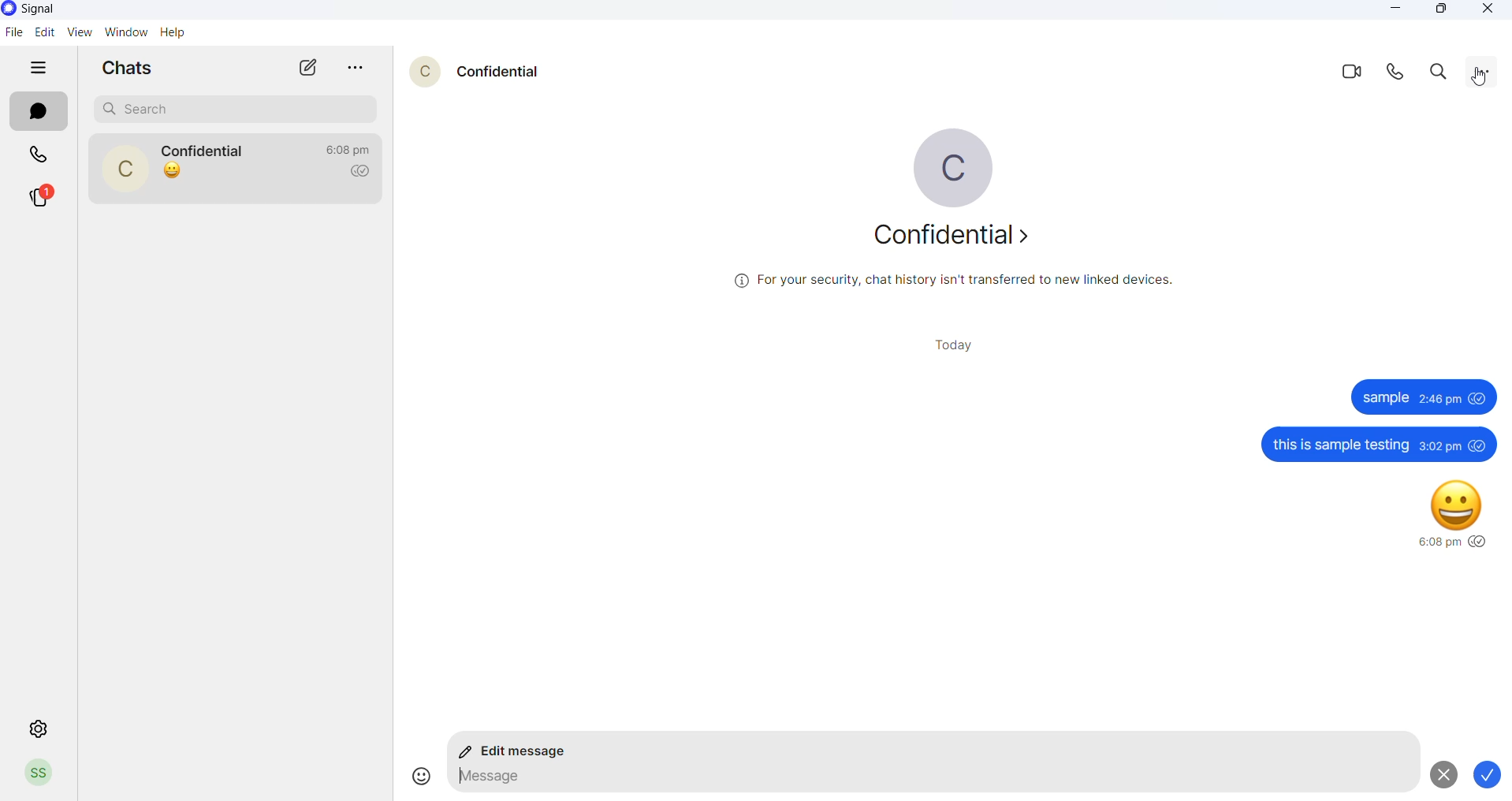 This screenshot has height=801, width=1512. I want to click on last message time, so click(348, 149).